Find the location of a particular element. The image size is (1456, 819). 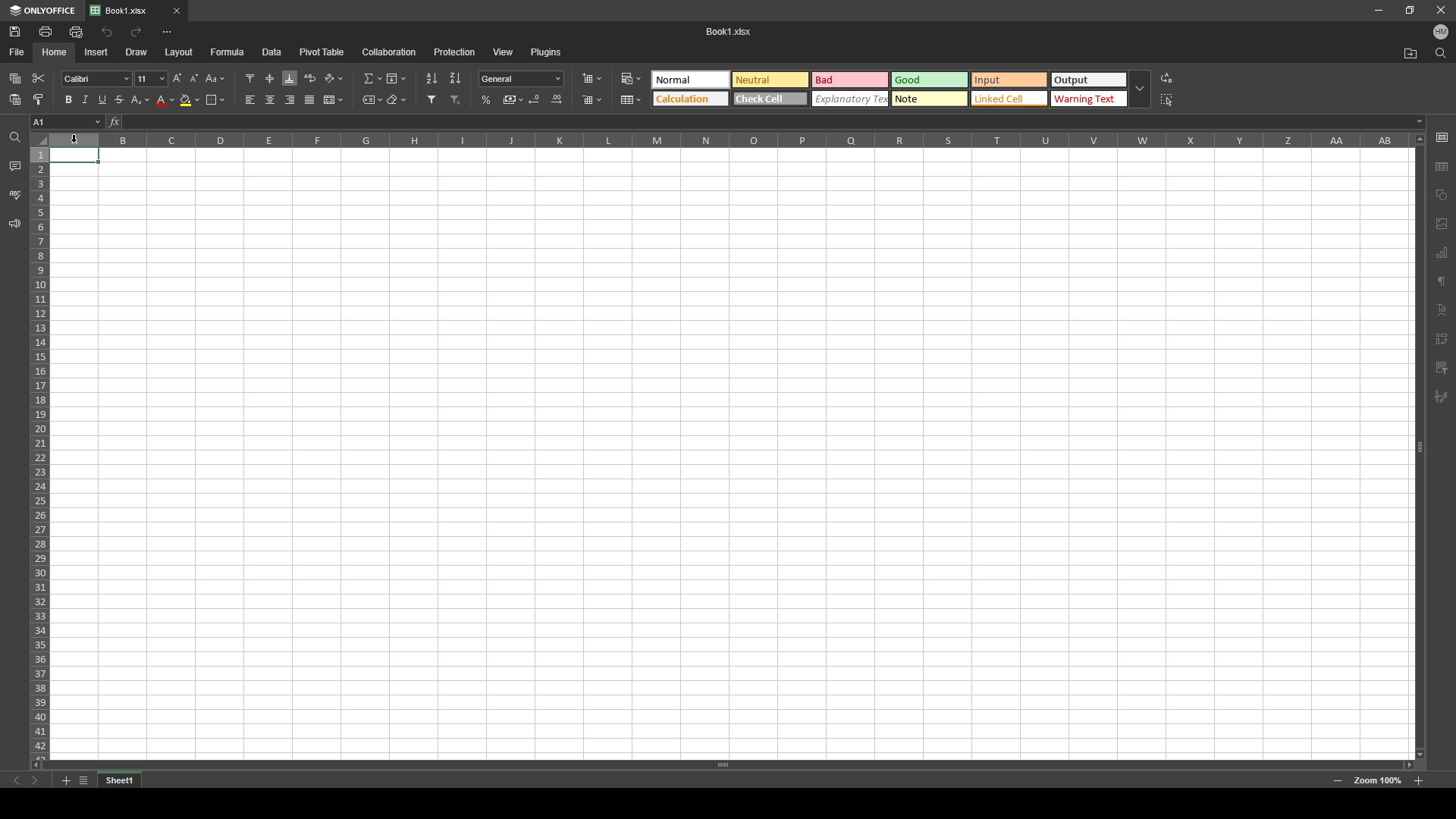

subscript is located at coordinates (141, 99).